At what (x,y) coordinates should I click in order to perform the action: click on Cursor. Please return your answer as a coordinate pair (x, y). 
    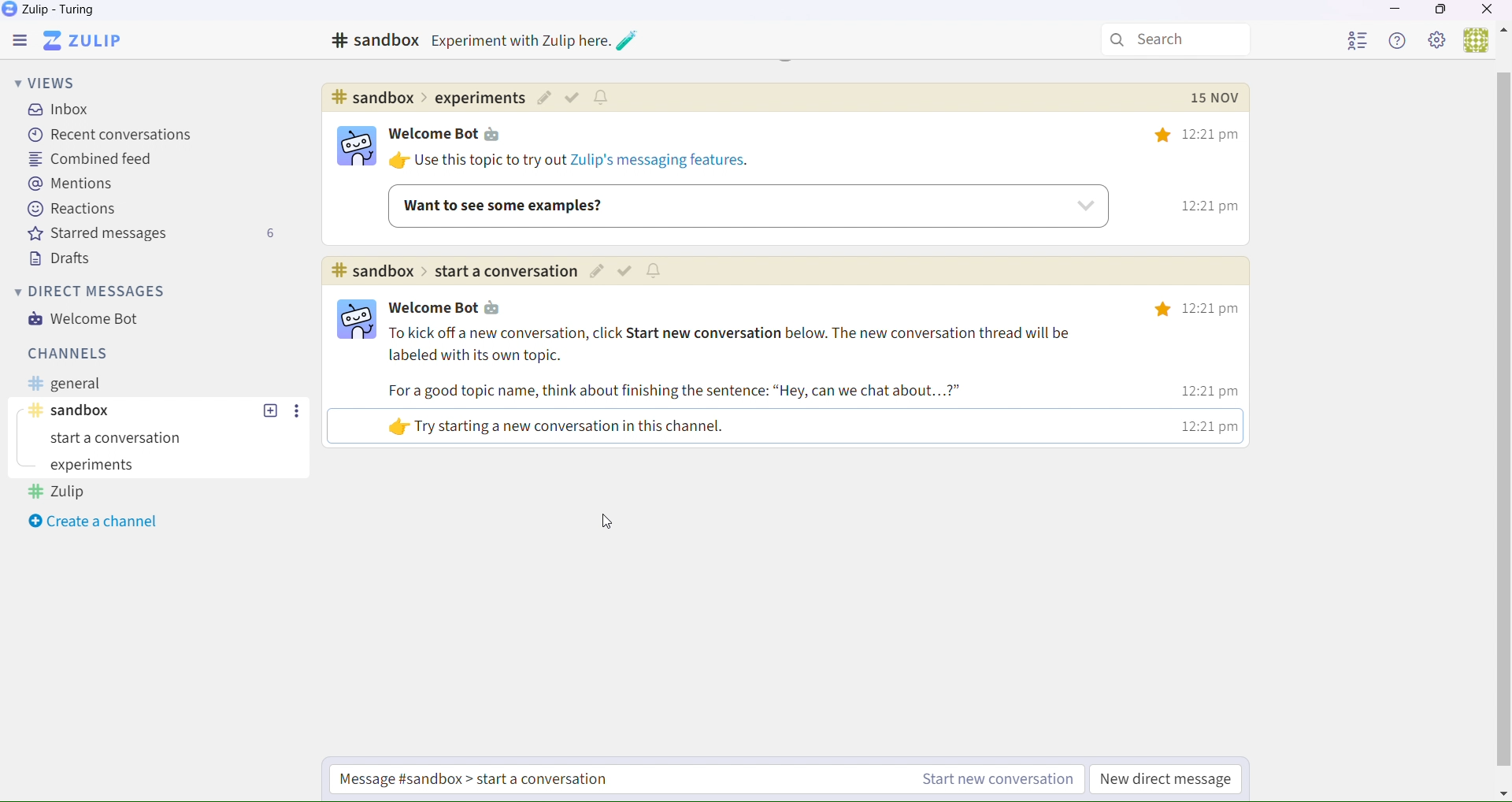
    Looking at the image, I should click on (610, 524).